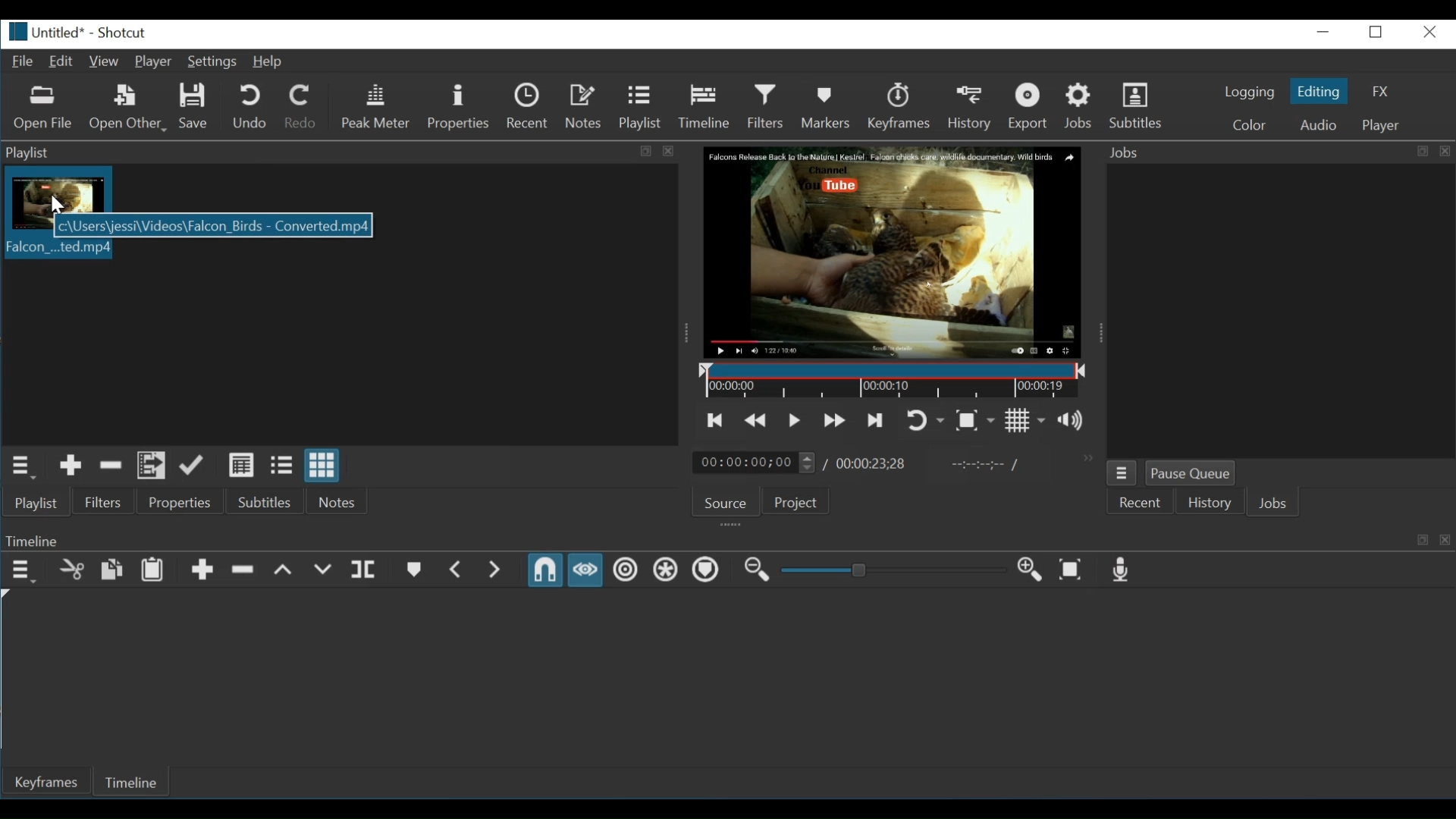 The image size is (1456, 819). I want to click on Playlist, so click(639, 106).